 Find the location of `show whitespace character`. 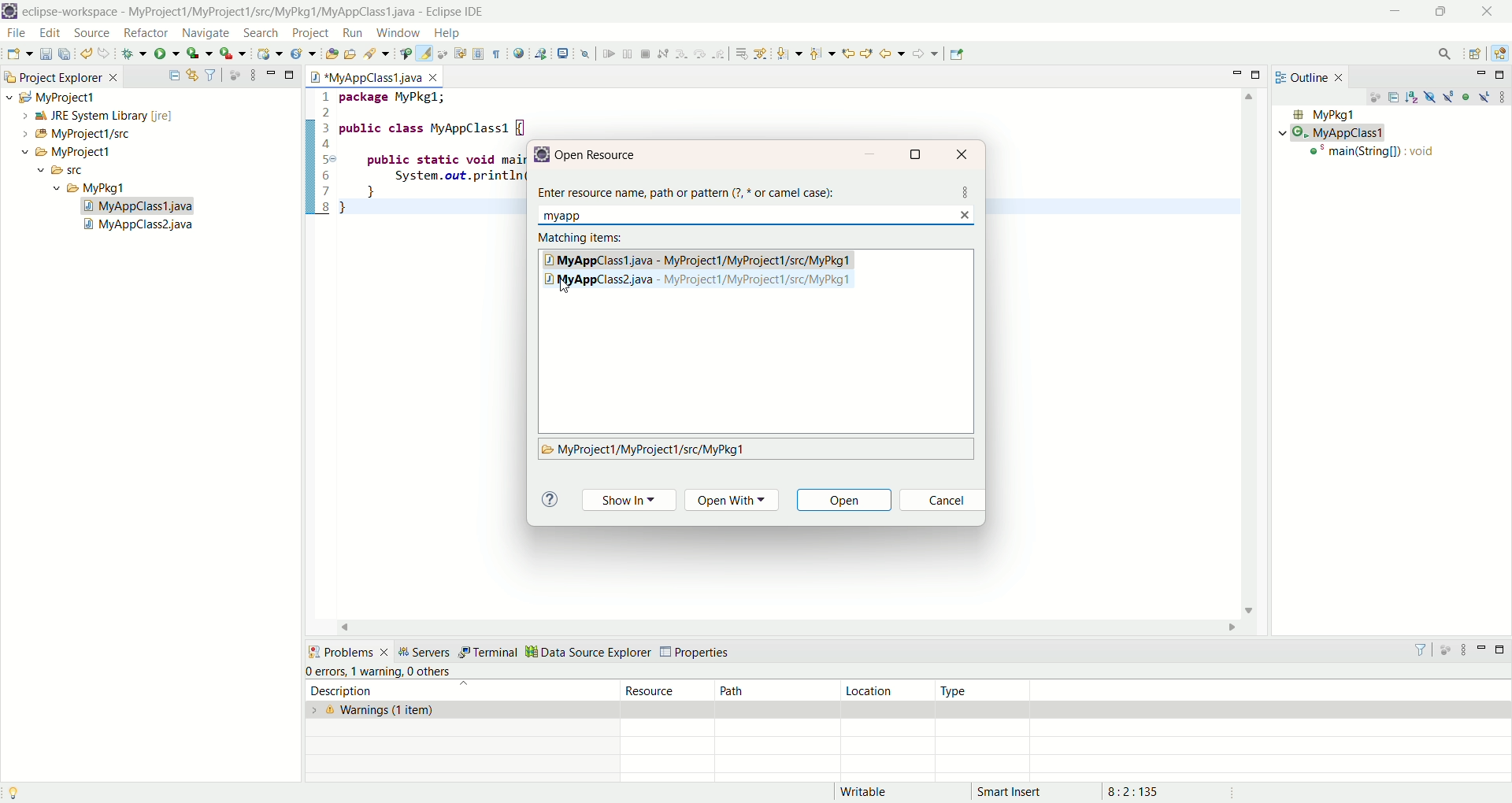

show whitespace character is located at coordinates (497, 55).